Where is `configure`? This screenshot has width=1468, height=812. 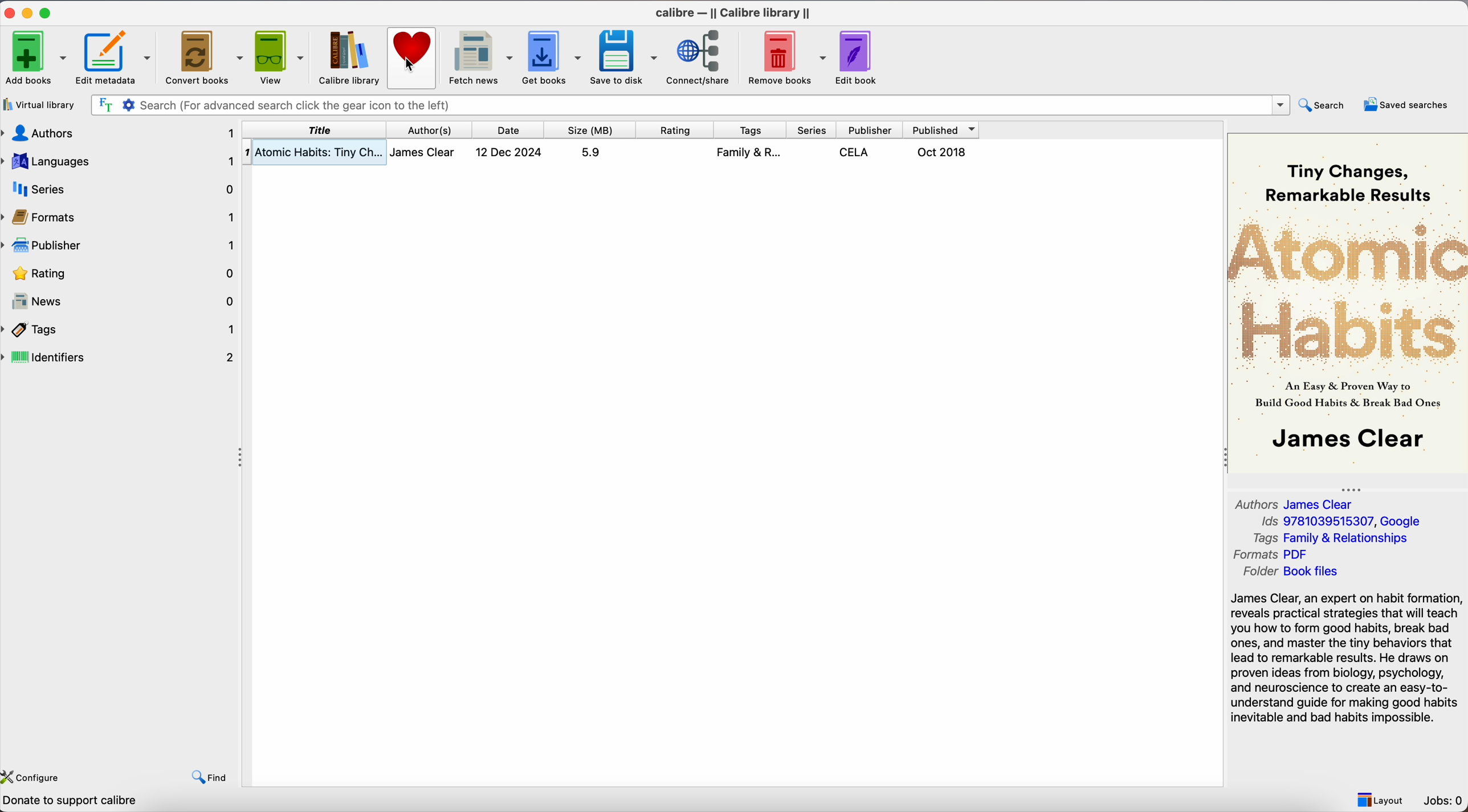
configure is located at coordinates (40, 776).